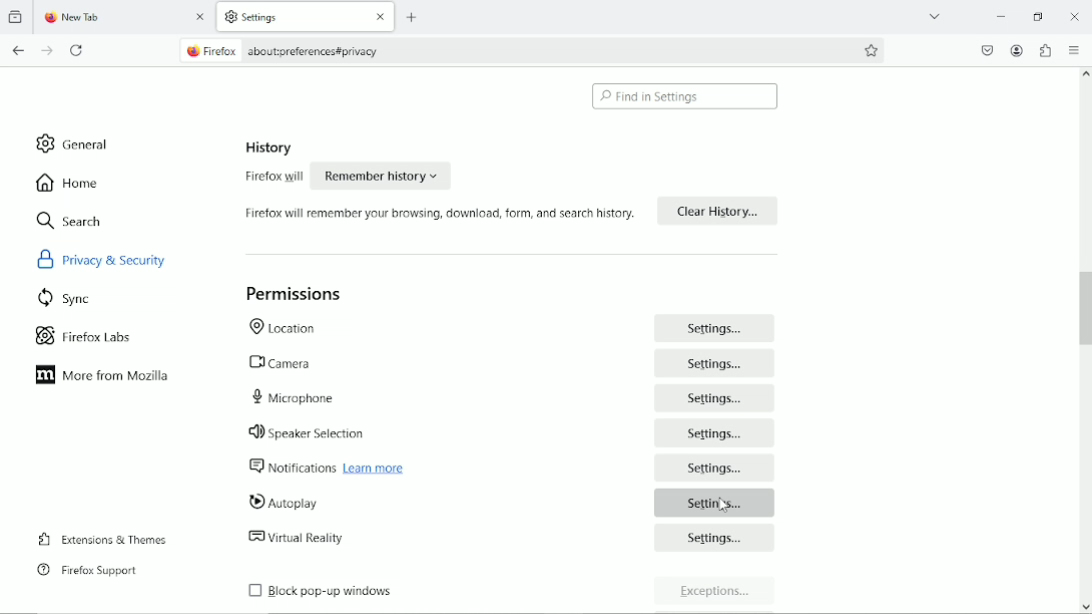 Image resolution: width=1092 pixels, height=614 pixels. What do you see at coordinates (87, 571) in the screenshot?
I see `firefox support` at bounding box center [87, 571].